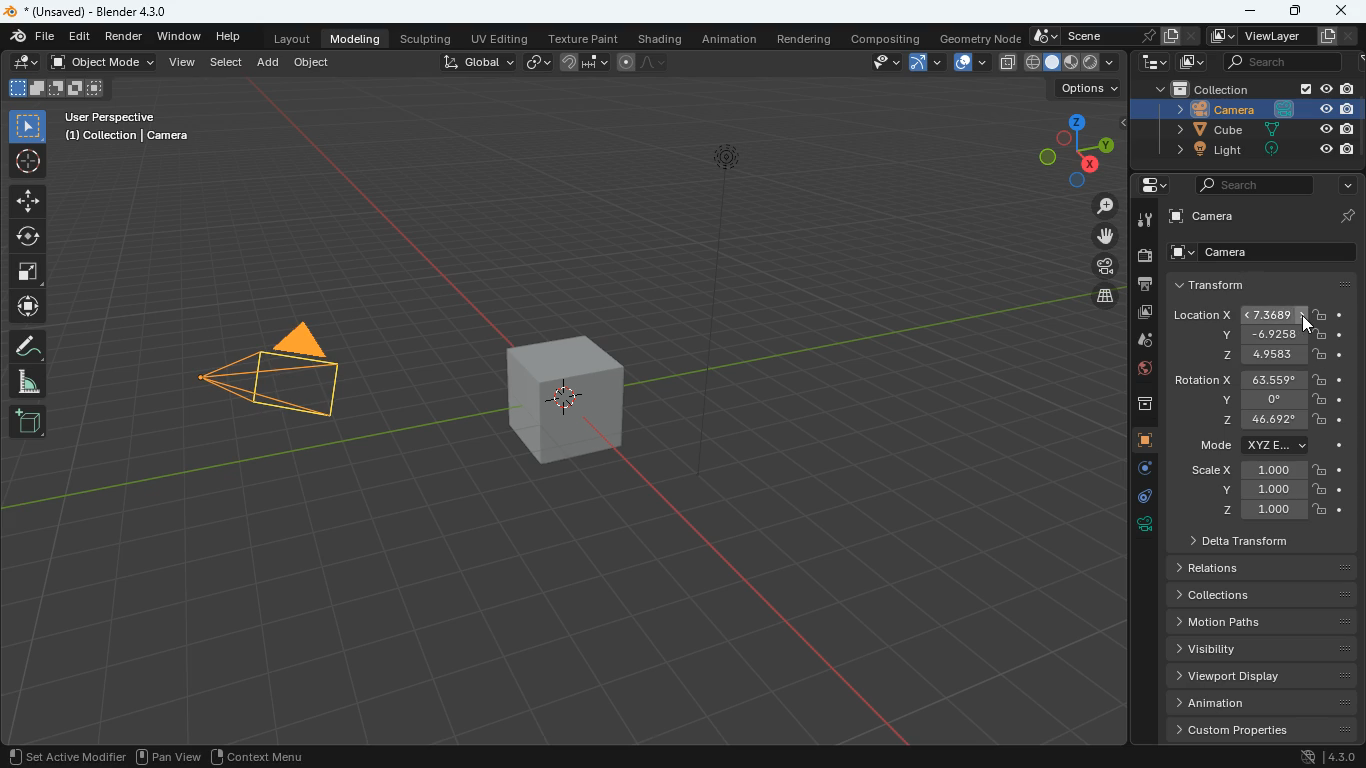  I want to click on image, so click(1141, 315).